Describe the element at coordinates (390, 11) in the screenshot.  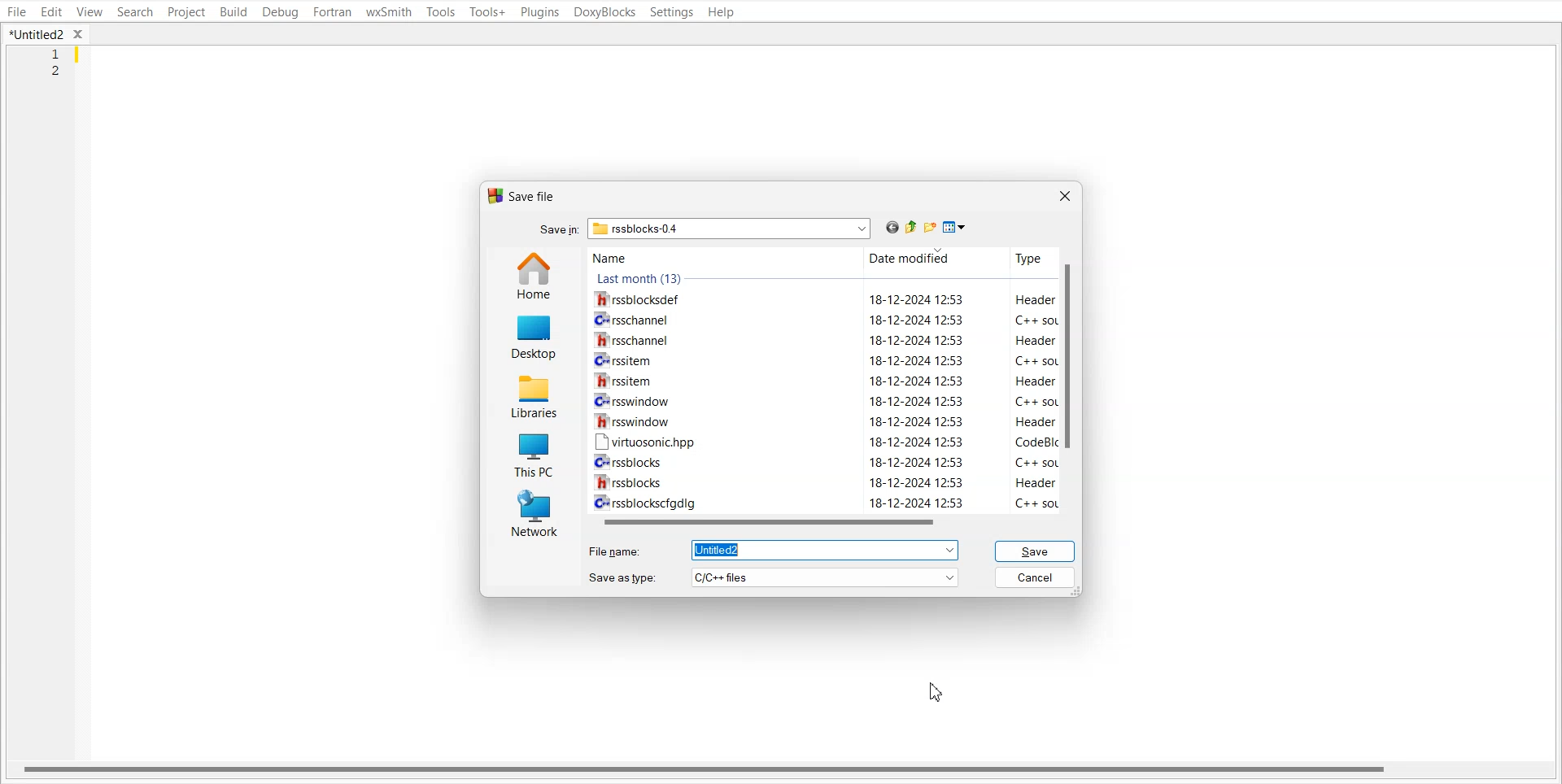
I see `wxSmith` at that location.